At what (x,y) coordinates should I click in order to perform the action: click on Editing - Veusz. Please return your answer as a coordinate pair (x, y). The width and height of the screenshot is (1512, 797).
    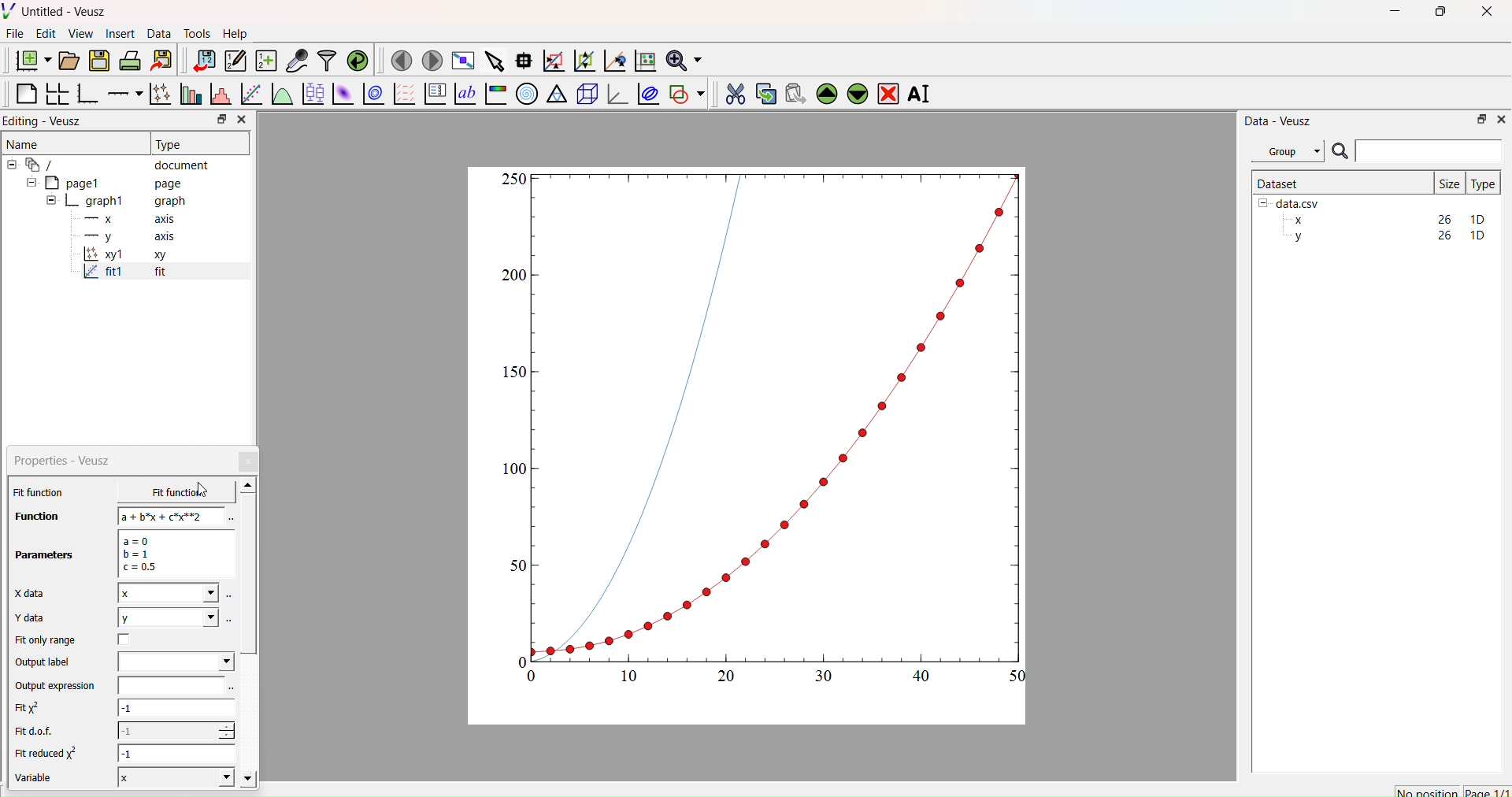
    Looking at the image, I should click on (47, 120).